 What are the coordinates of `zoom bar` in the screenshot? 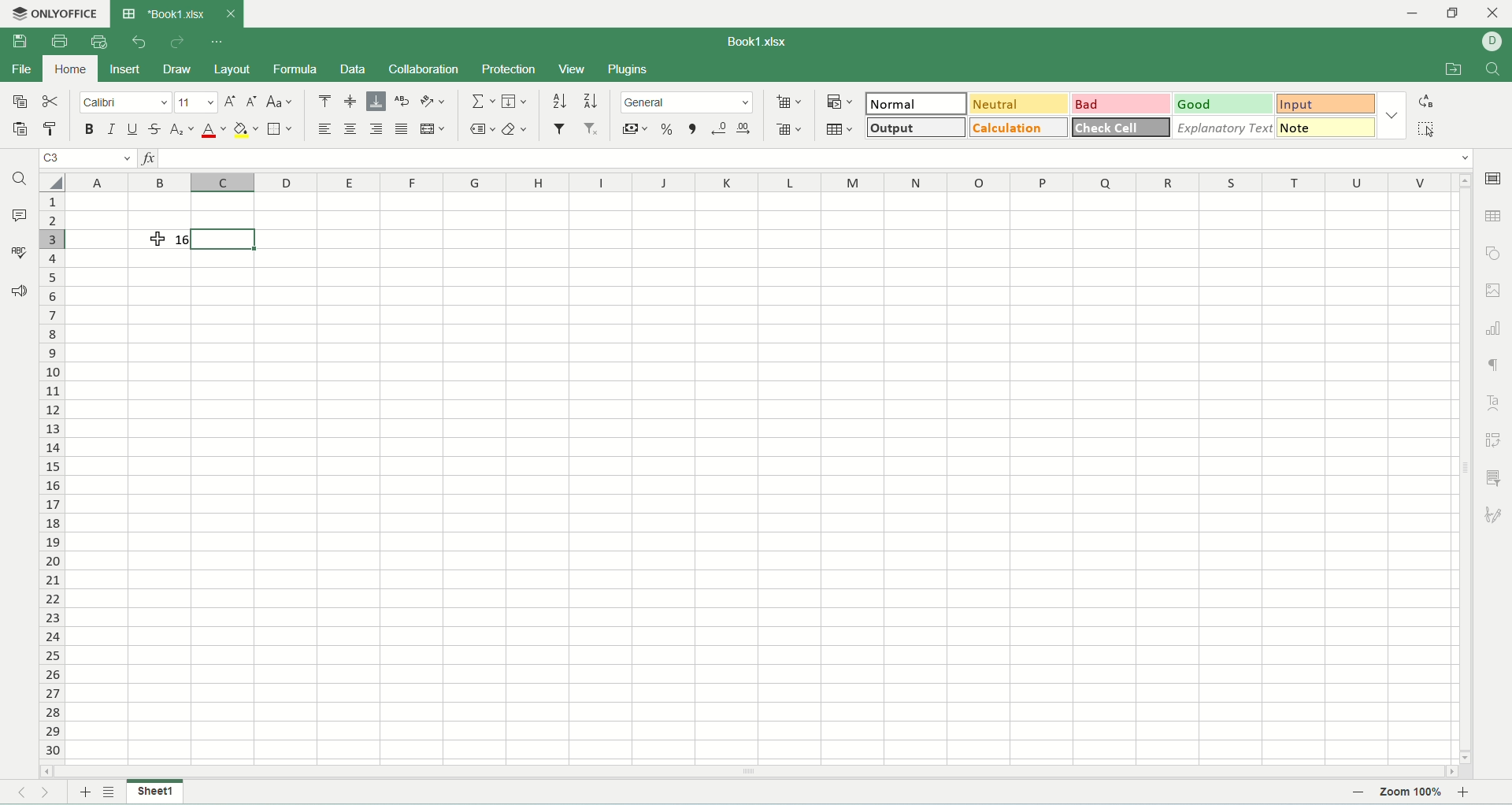 It's located at (1375, 793).